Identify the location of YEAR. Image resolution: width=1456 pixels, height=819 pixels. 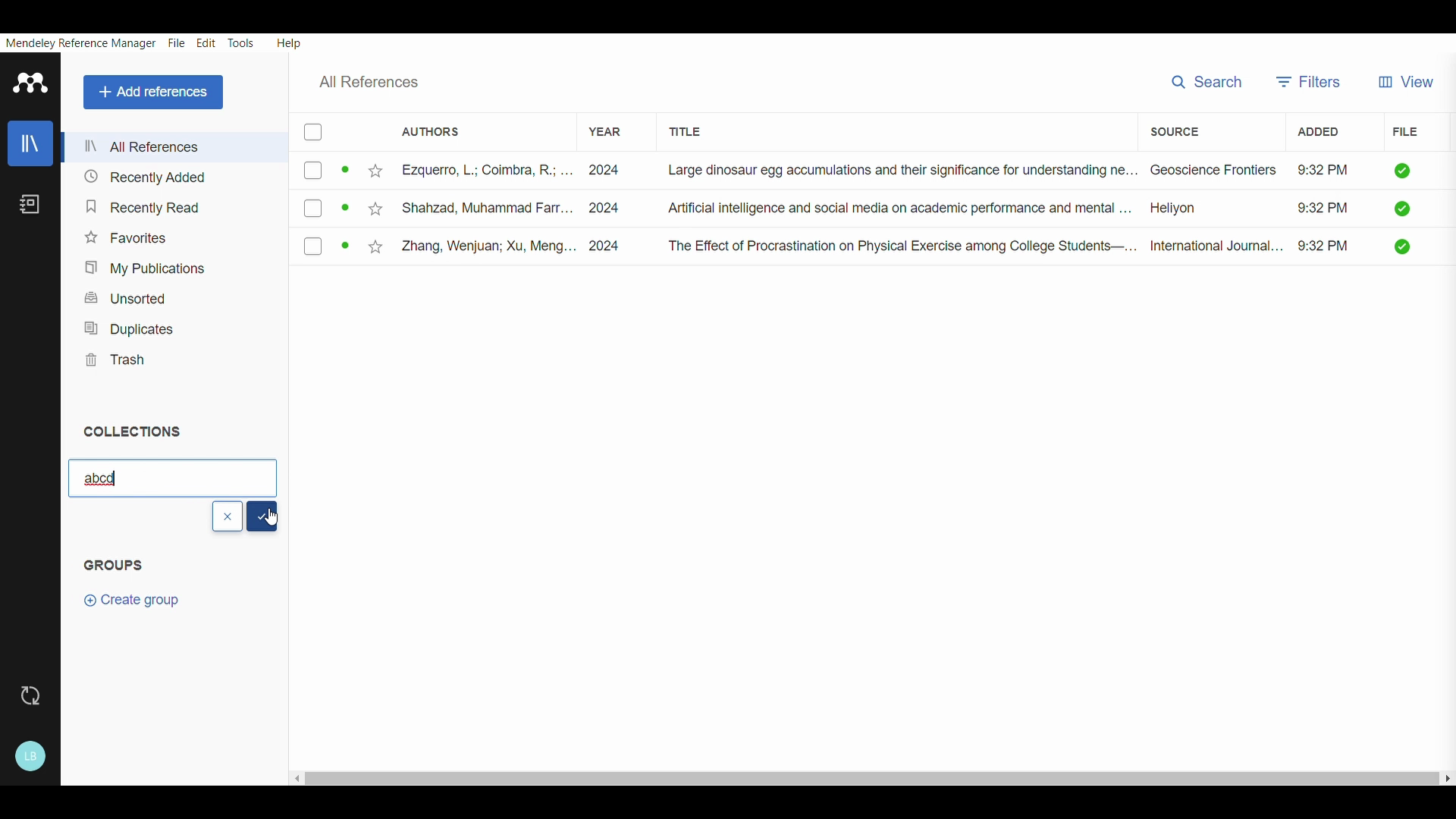
(599, 125).